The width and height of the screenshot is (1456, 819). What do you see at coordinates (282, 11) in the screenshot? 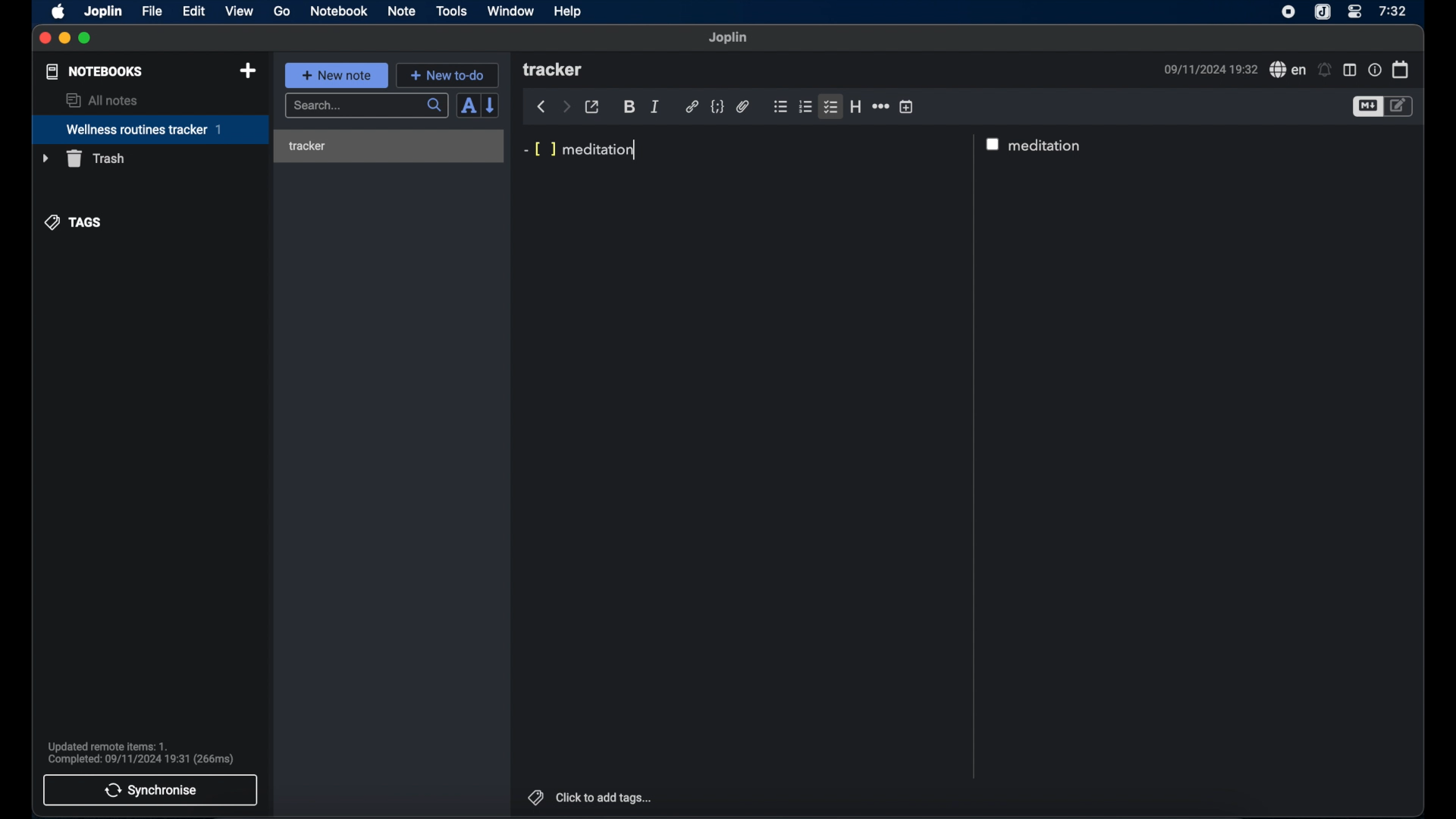
I see `go` at bounding box center [282, 11].